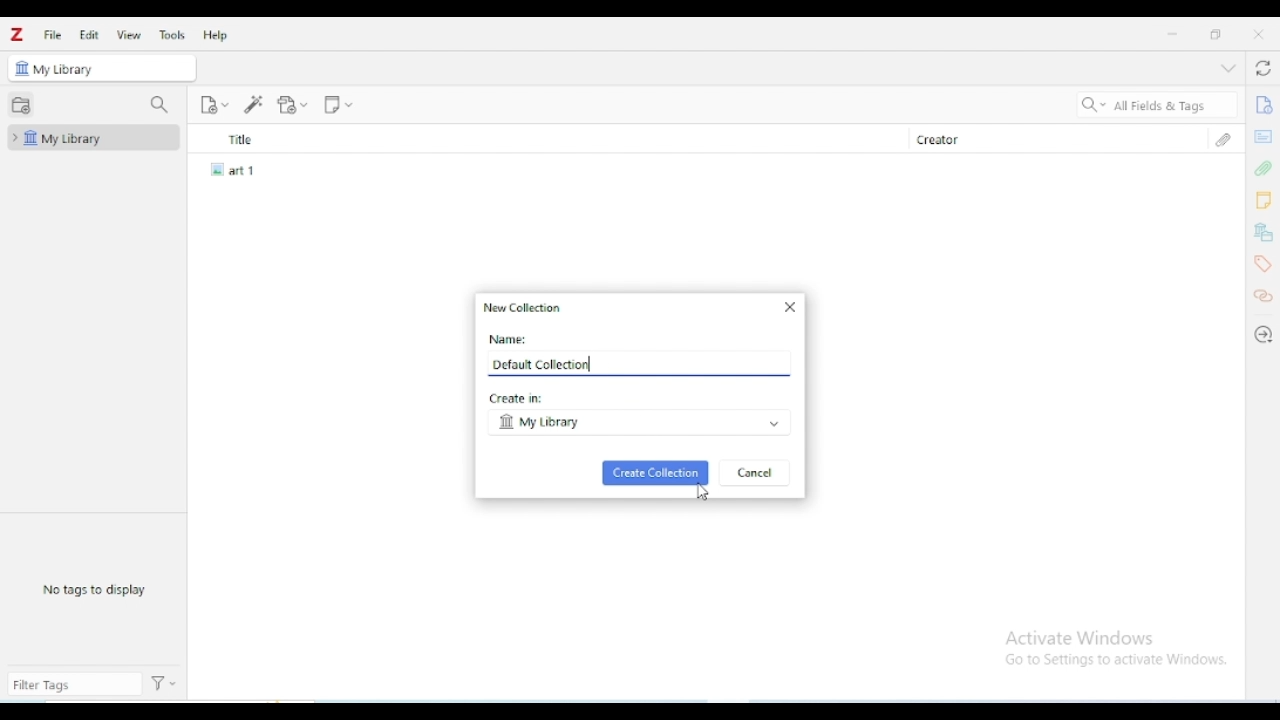 Image resolution: width=1280 pixels, height=720 pixels. I want to click on new note, so click(338, 103).